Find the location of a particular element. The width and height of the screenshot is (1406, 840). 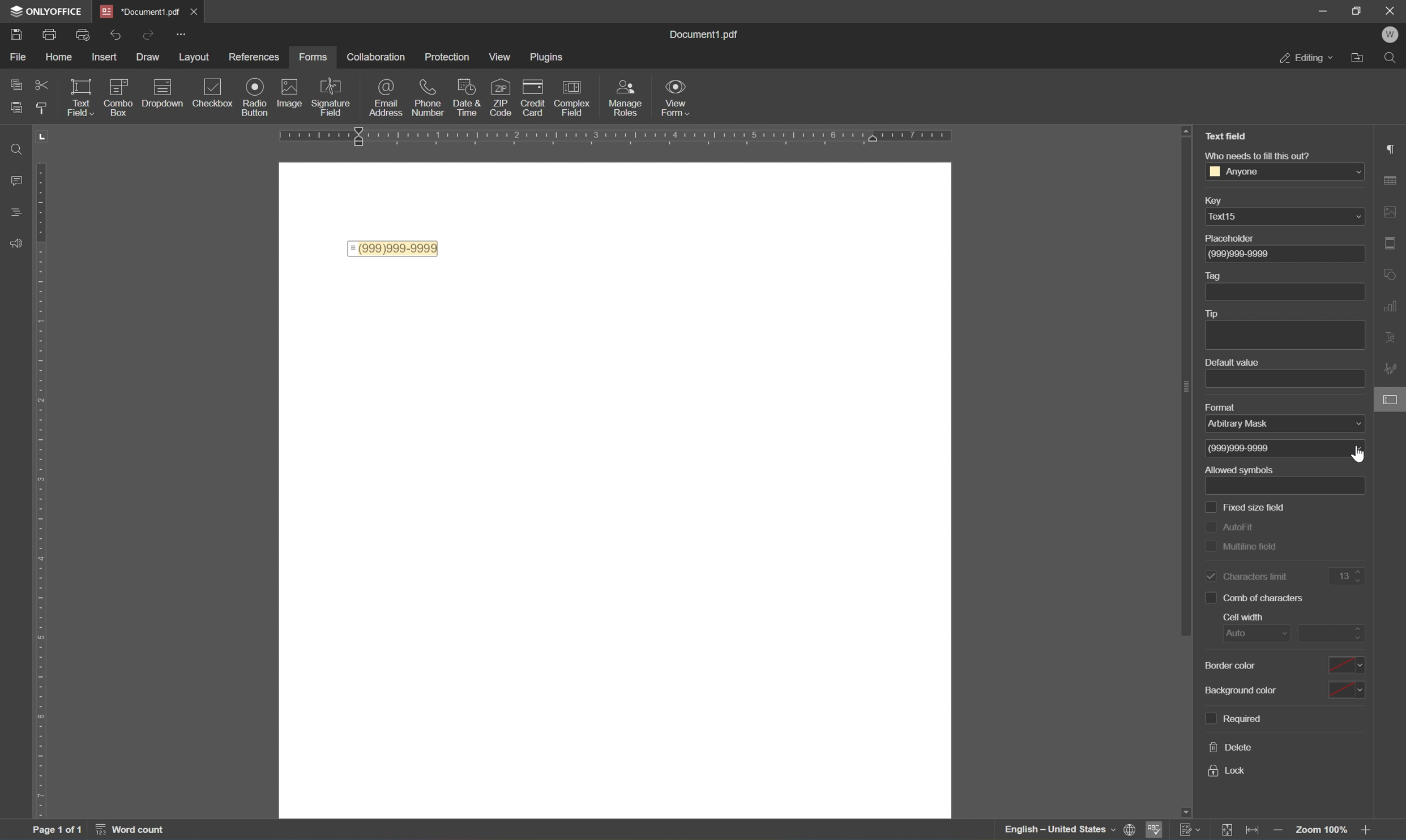

feedback and support is located at coordinates (15, 240).